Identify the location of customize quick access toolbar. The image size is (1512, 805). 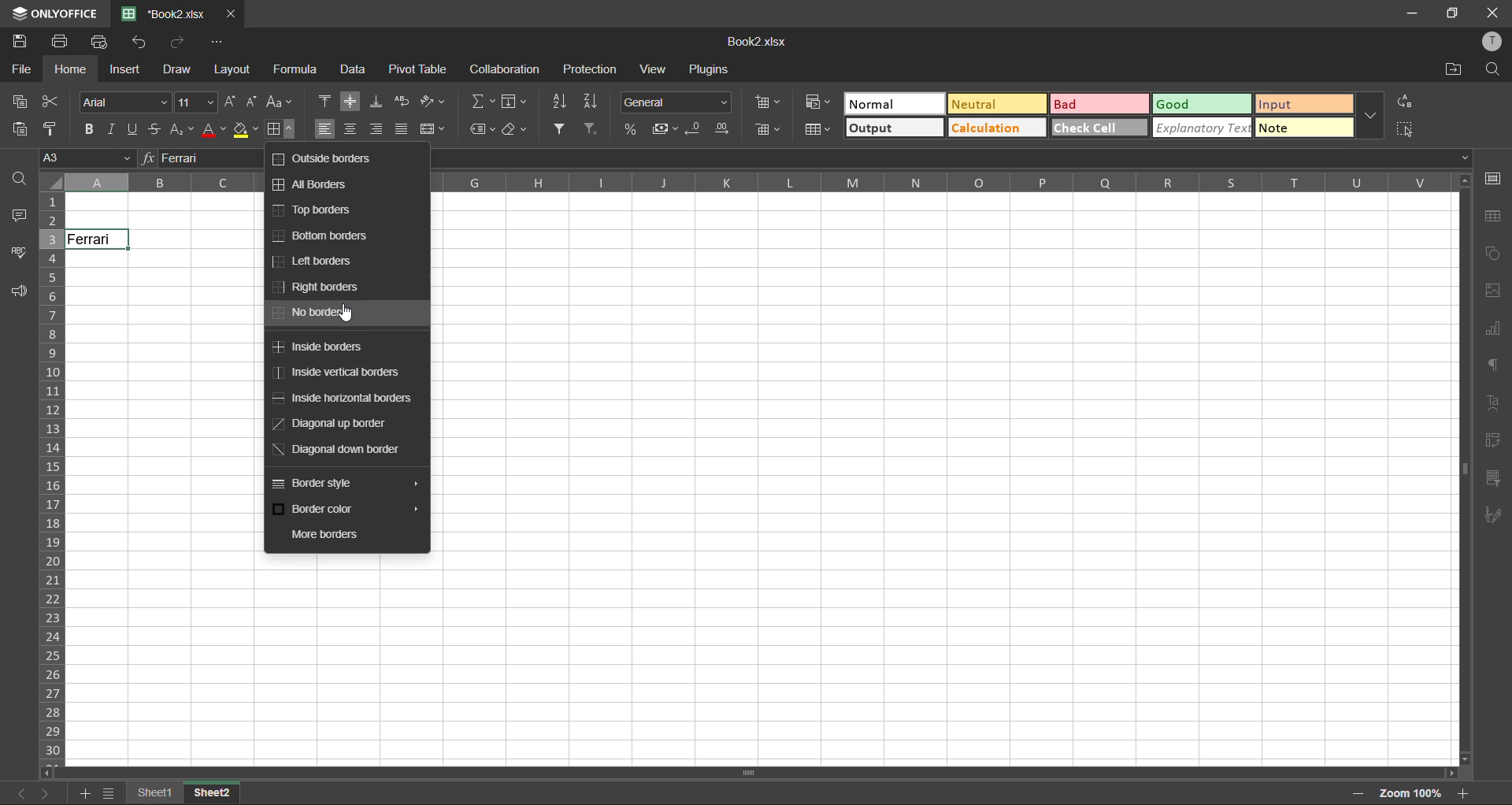
(217, 42).